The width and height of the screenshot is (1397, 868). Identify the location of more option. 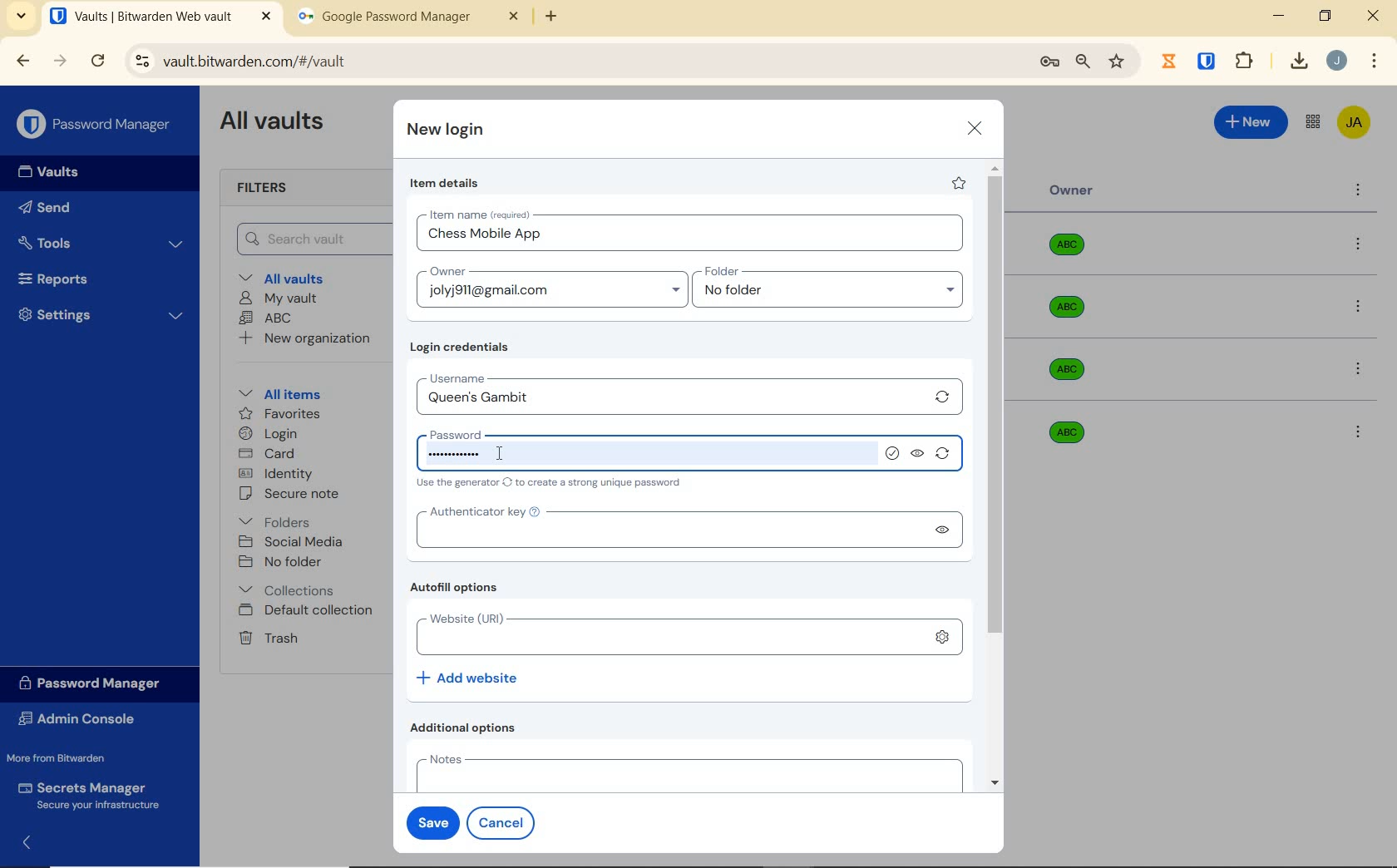
(1359, 191).